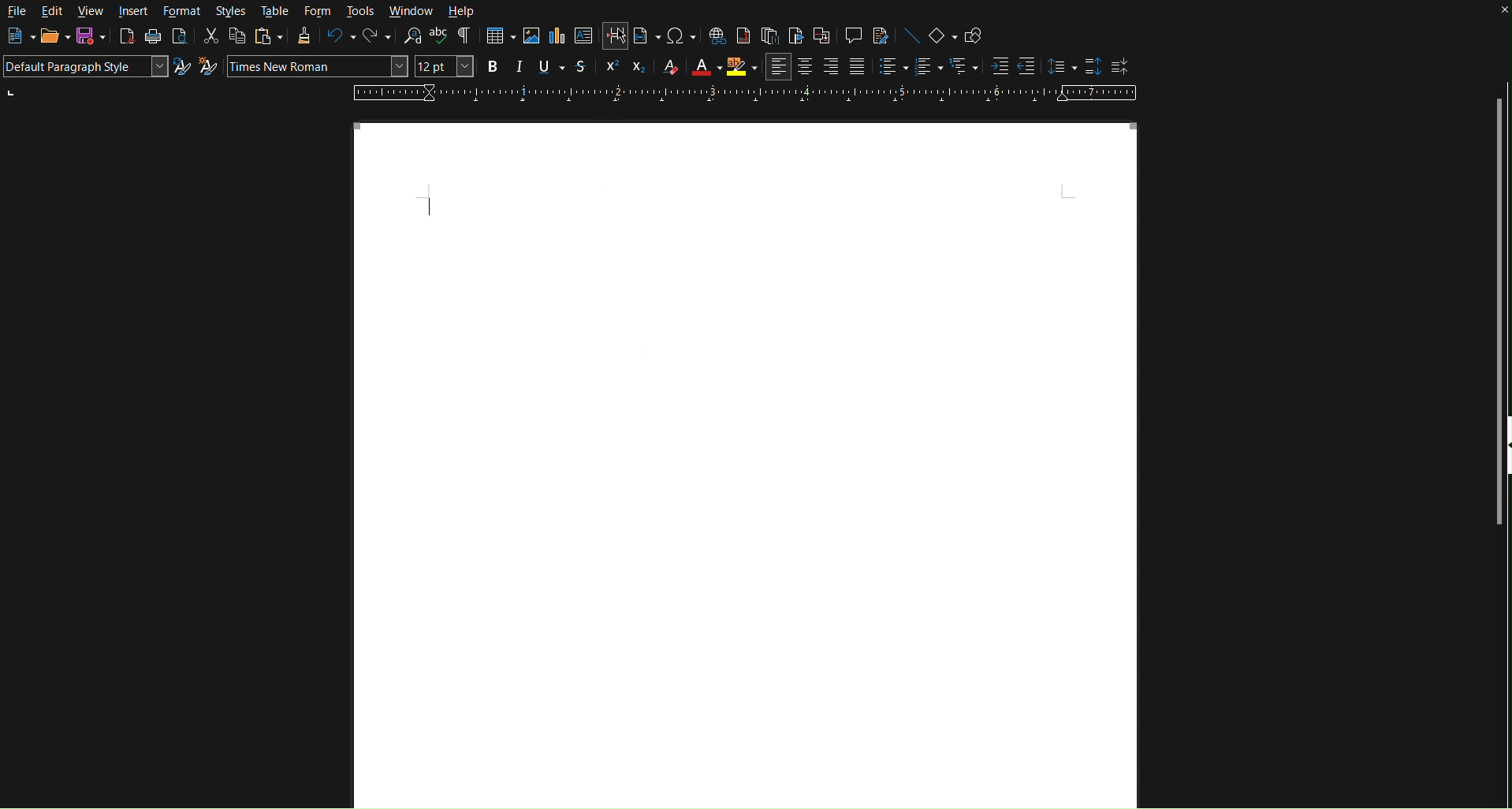 Image resolution: width=1512 pixels, height=809 pixels. Describe the element at coordinates (377, 37) in the screenshot. I see `Redo` at that location.